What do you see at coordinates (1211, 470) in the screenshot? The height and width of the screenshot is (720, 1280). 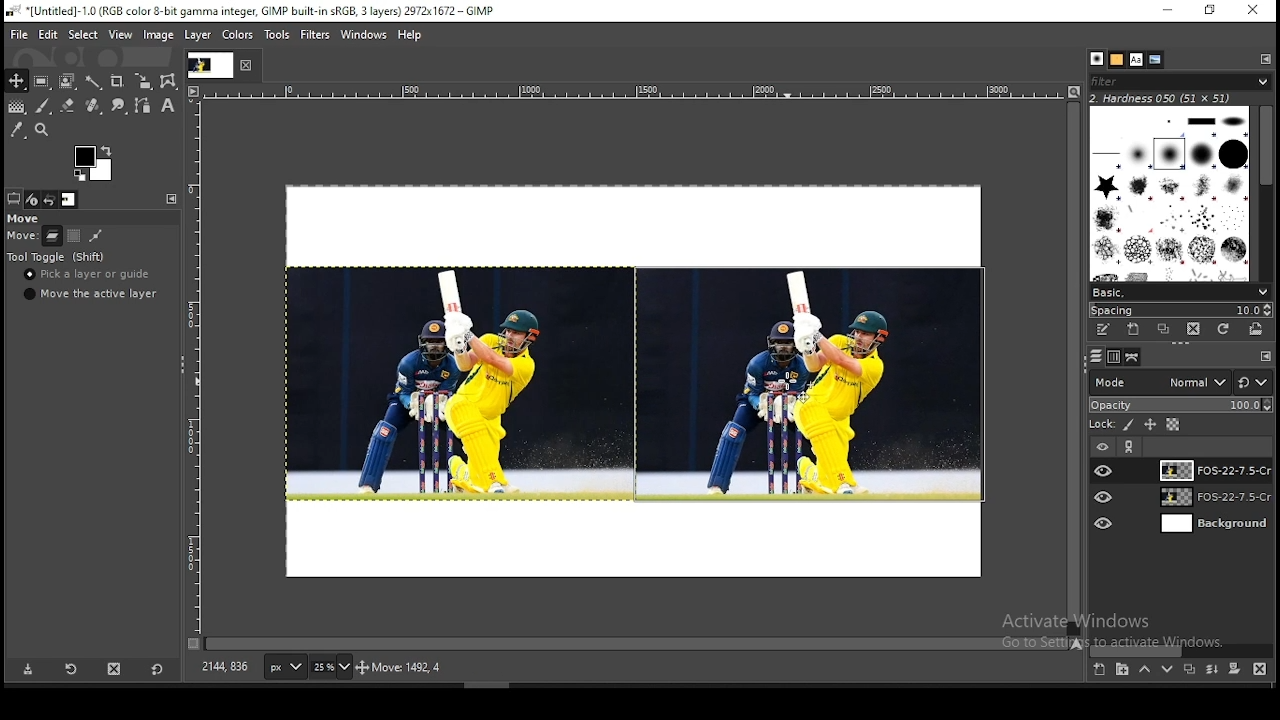 I see `layer ` at bounding box center [1211, 470].